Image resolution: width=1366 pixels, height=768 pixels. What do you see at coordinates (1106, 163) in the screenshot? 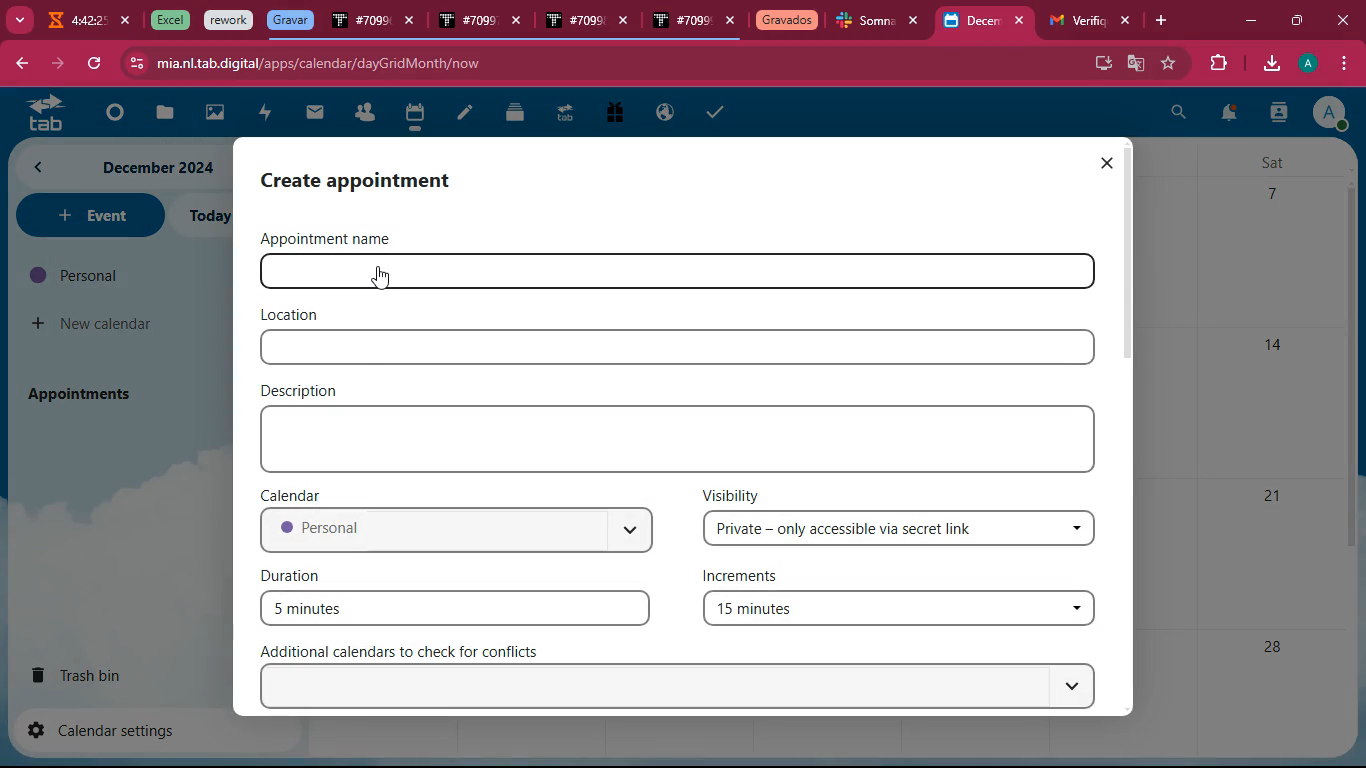
I see `close` at bounding box center [1106, 163].